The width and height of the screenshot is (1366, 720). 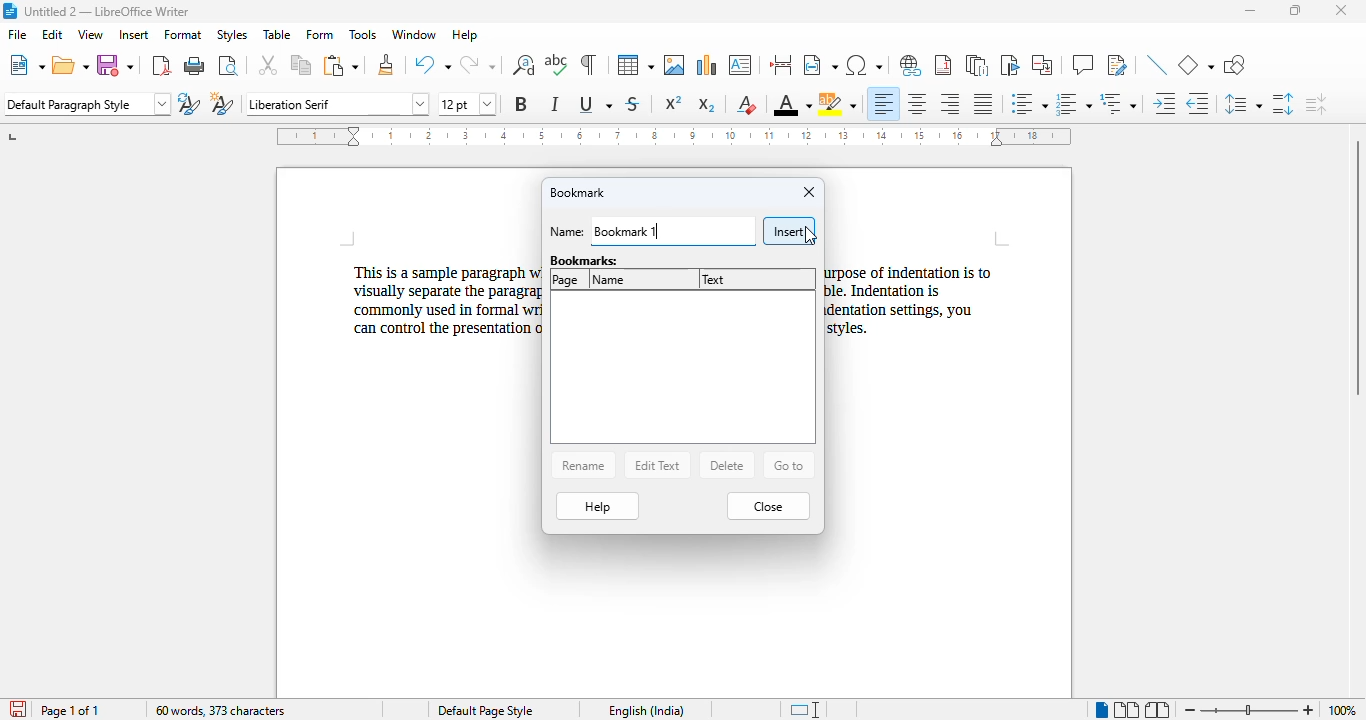 I want to click on help, so click(x=465, y=35).